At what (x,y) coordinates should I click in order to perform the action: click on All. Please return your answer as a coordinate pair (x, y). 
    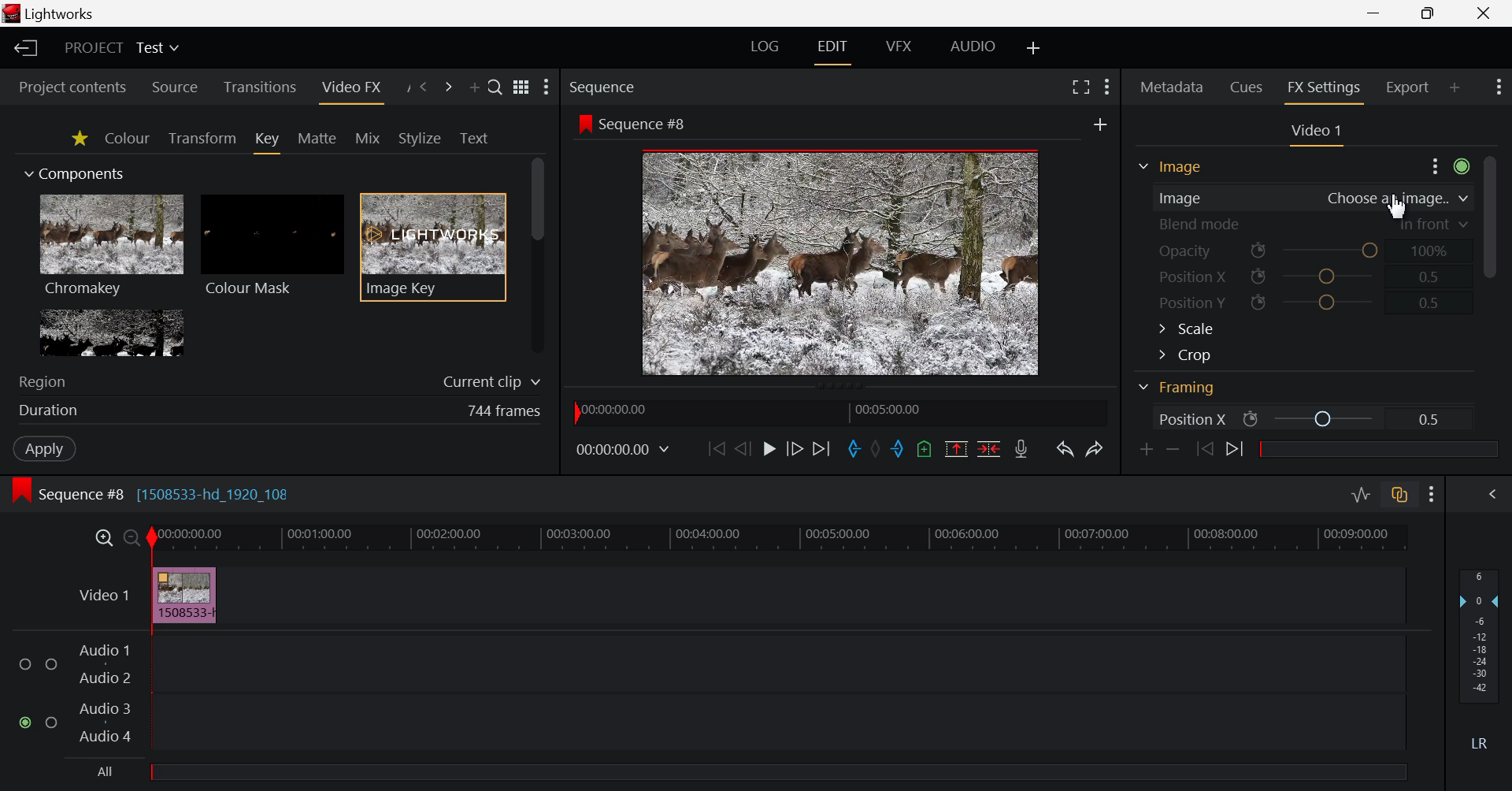
    Looking at the image, I should click on (109, 770).